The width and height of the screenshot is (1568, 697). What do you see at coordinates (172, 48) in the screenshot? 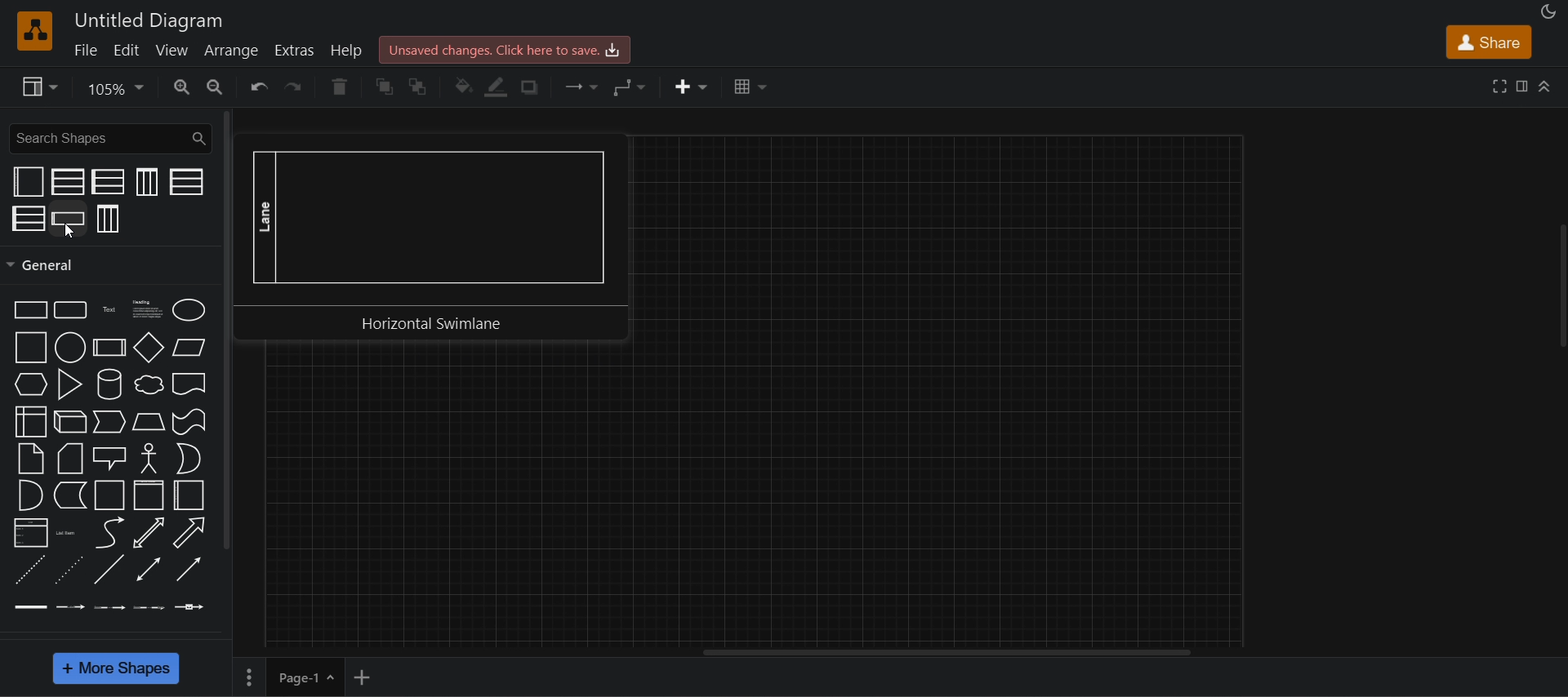
I see `view` at bounding box center [172, 48].